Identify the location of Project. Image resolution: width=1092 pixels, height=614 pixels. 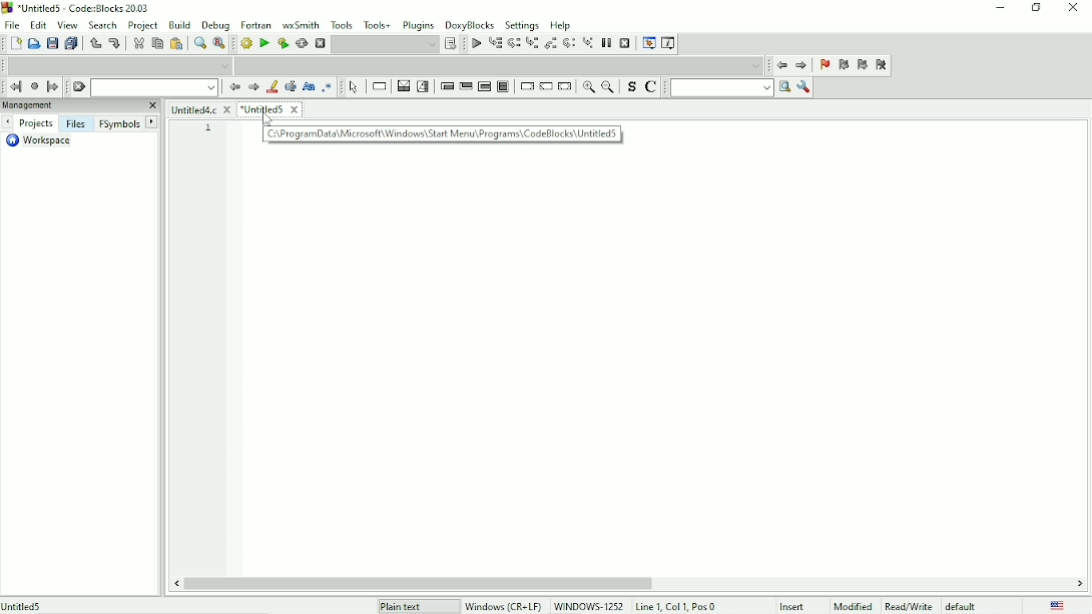
(143, 26).